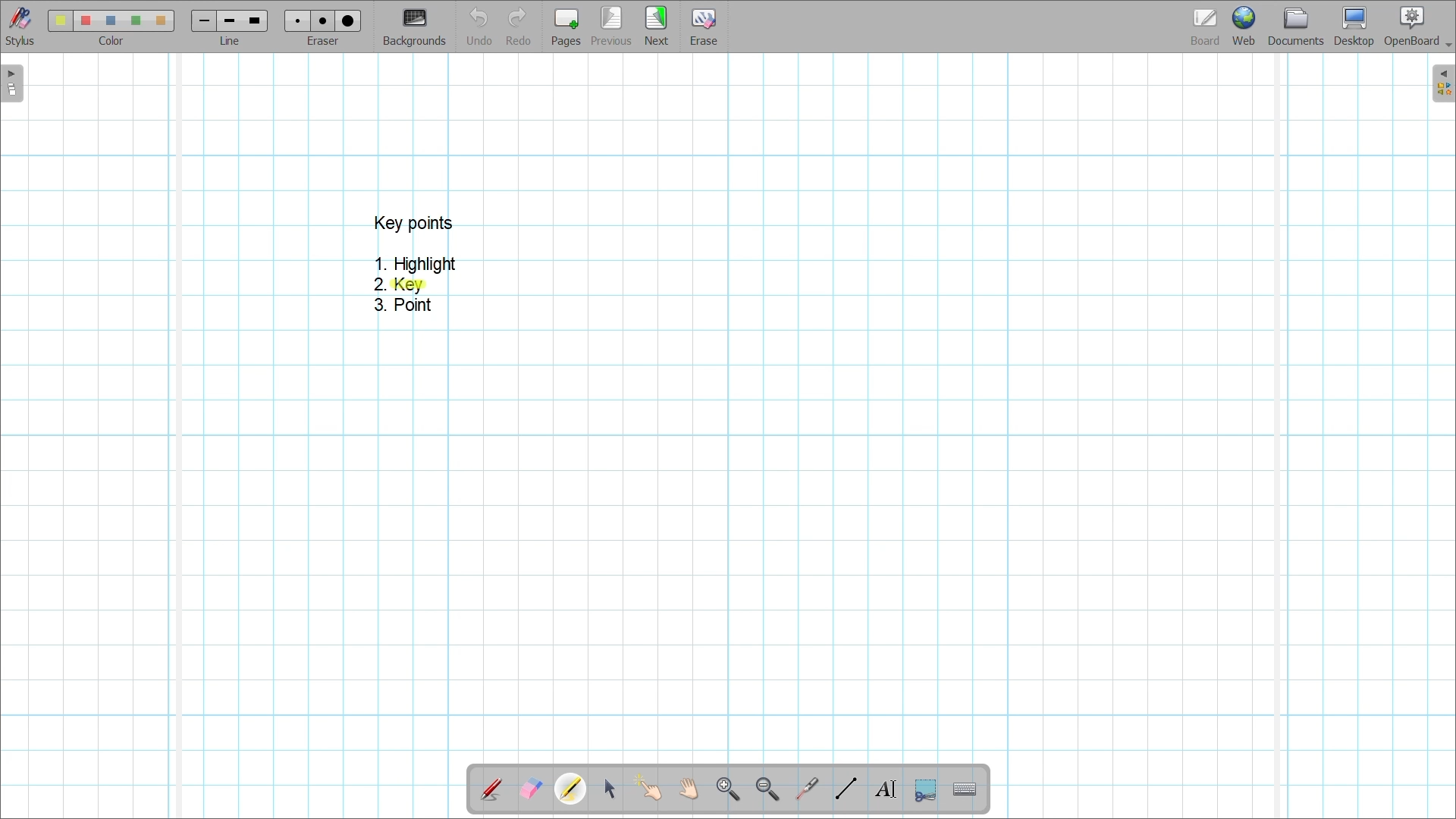 This screenshot has height=819, width=1456. Describe the element at coordinates (491, 790) in the screenshot. I see `Annotate document` at that location.